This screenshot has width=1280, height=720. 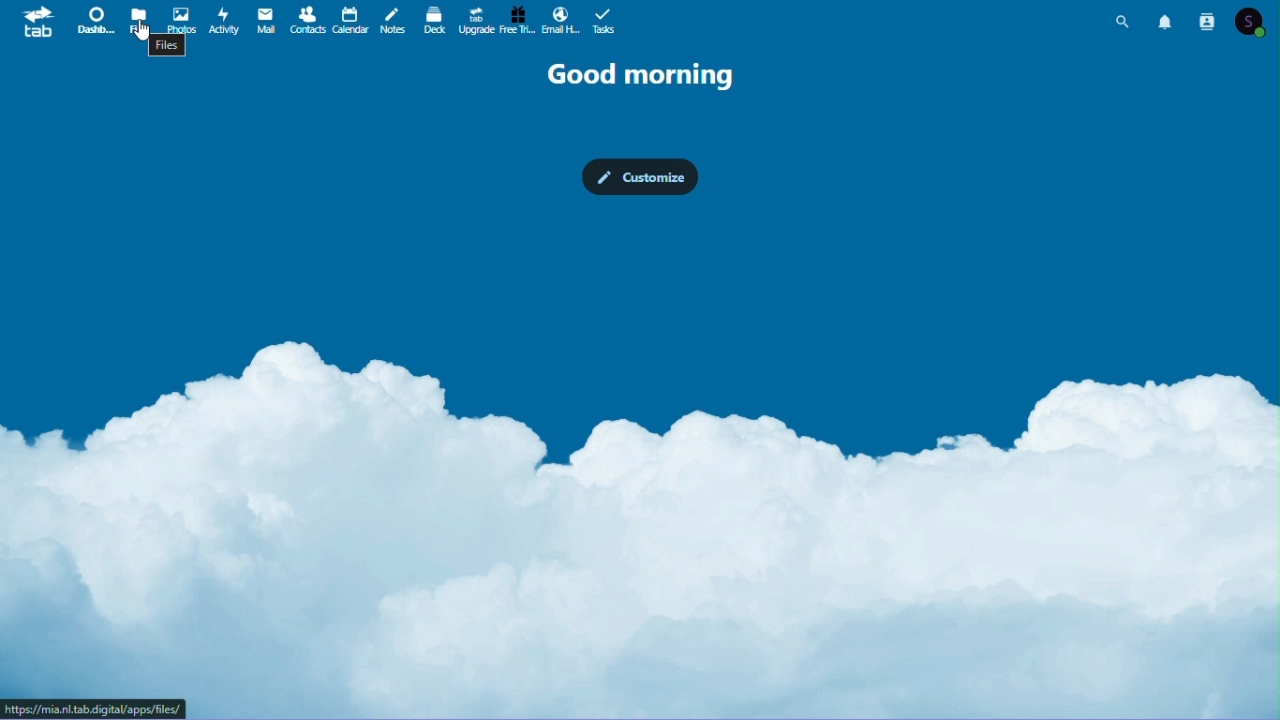 I want to click on notifications, so click(x=1166, y=22).